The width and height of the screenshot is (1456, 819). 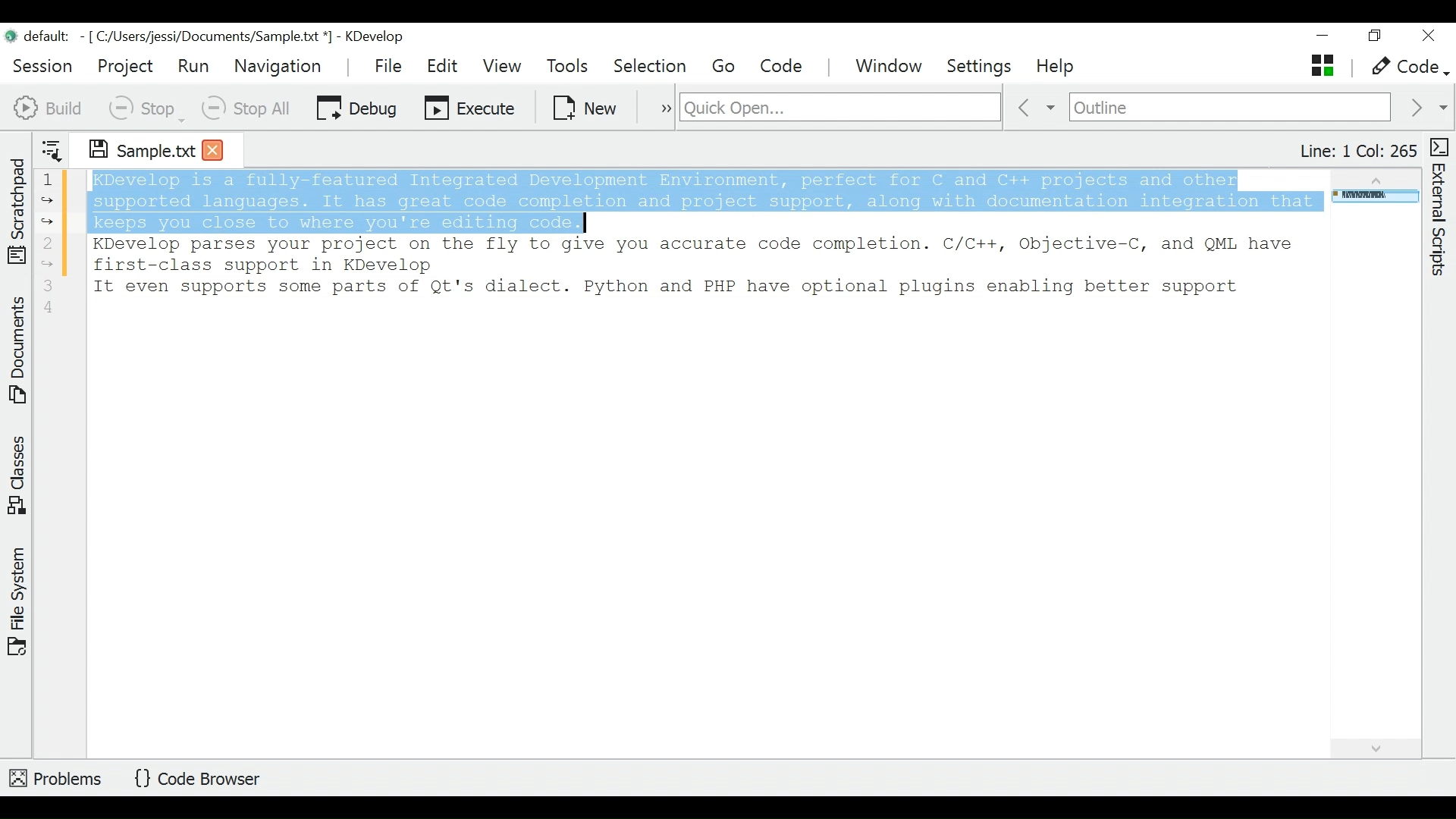 I want to click on default - [C:/Users/jessi/Documents/Sample.txt*] - KDevelop, so click(x=211, y=39).